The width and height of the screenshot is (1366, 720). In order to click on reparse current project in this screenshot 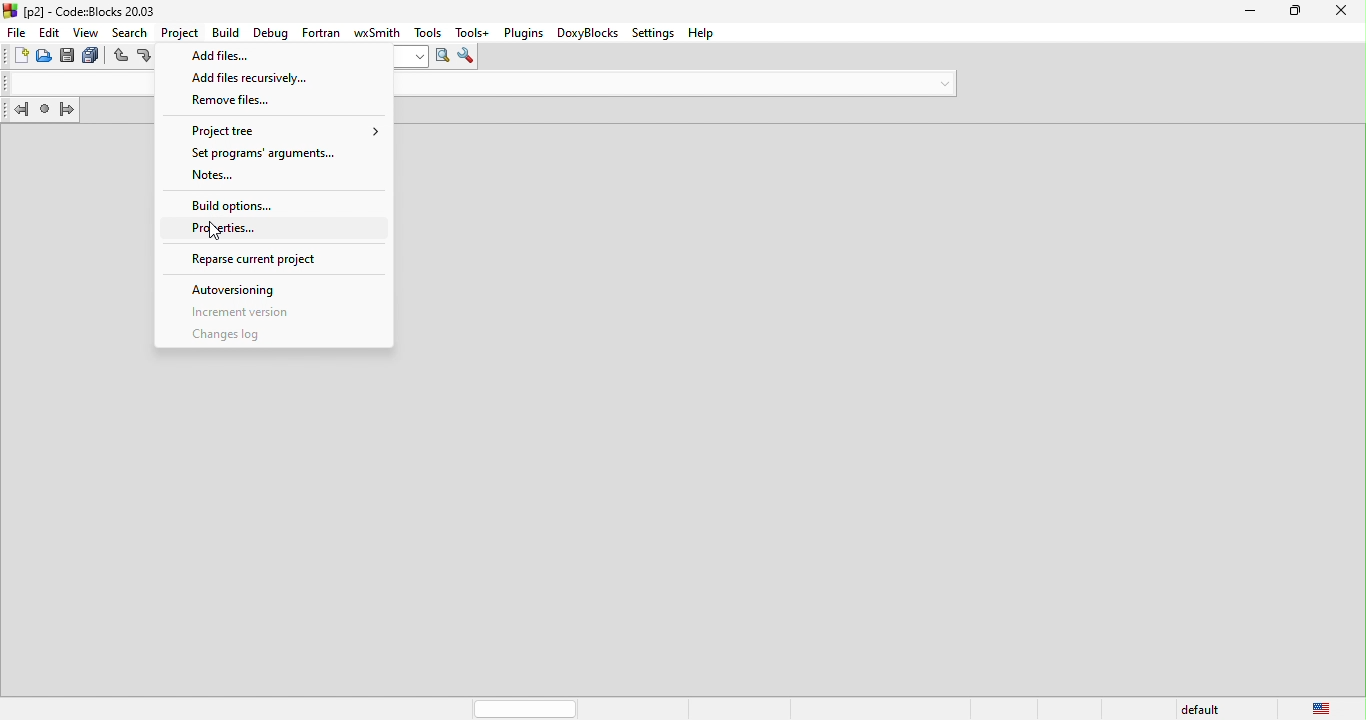, I will do `click(271, 257)`.